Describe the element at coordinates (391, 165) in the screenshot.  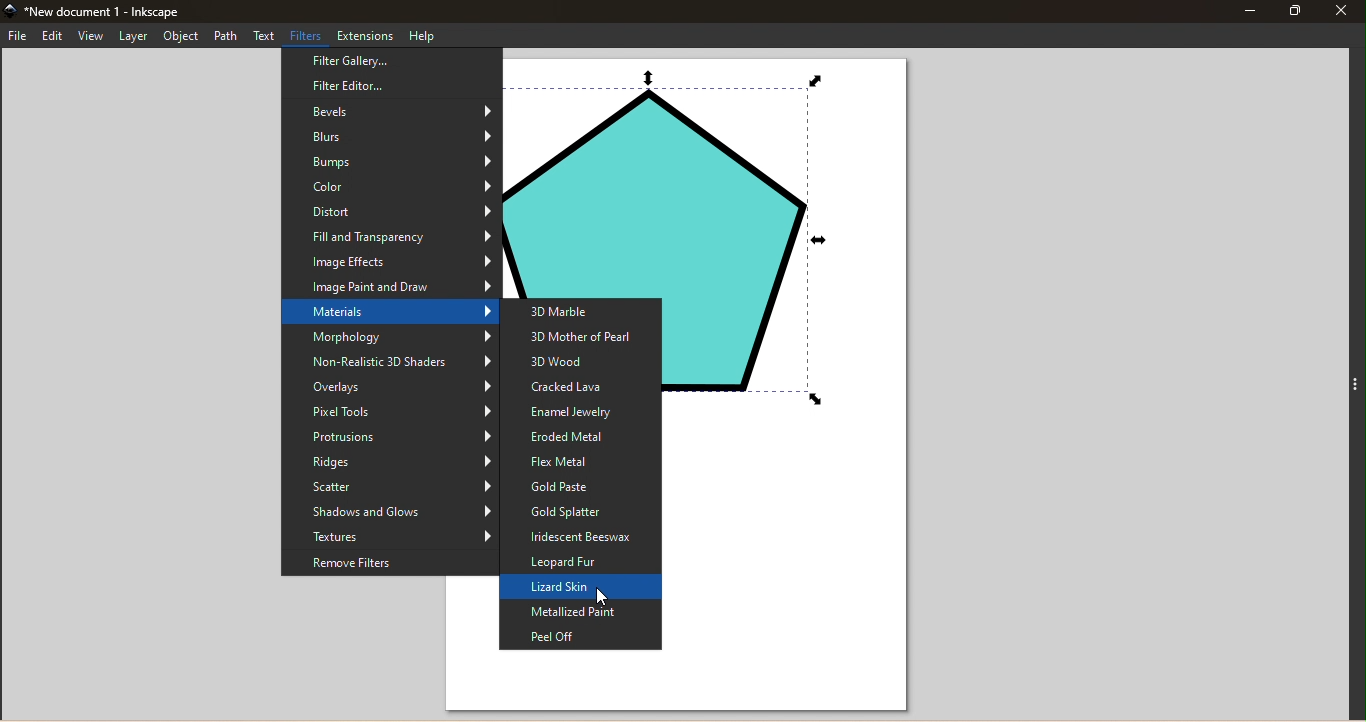
I see `Bumps` at that location.